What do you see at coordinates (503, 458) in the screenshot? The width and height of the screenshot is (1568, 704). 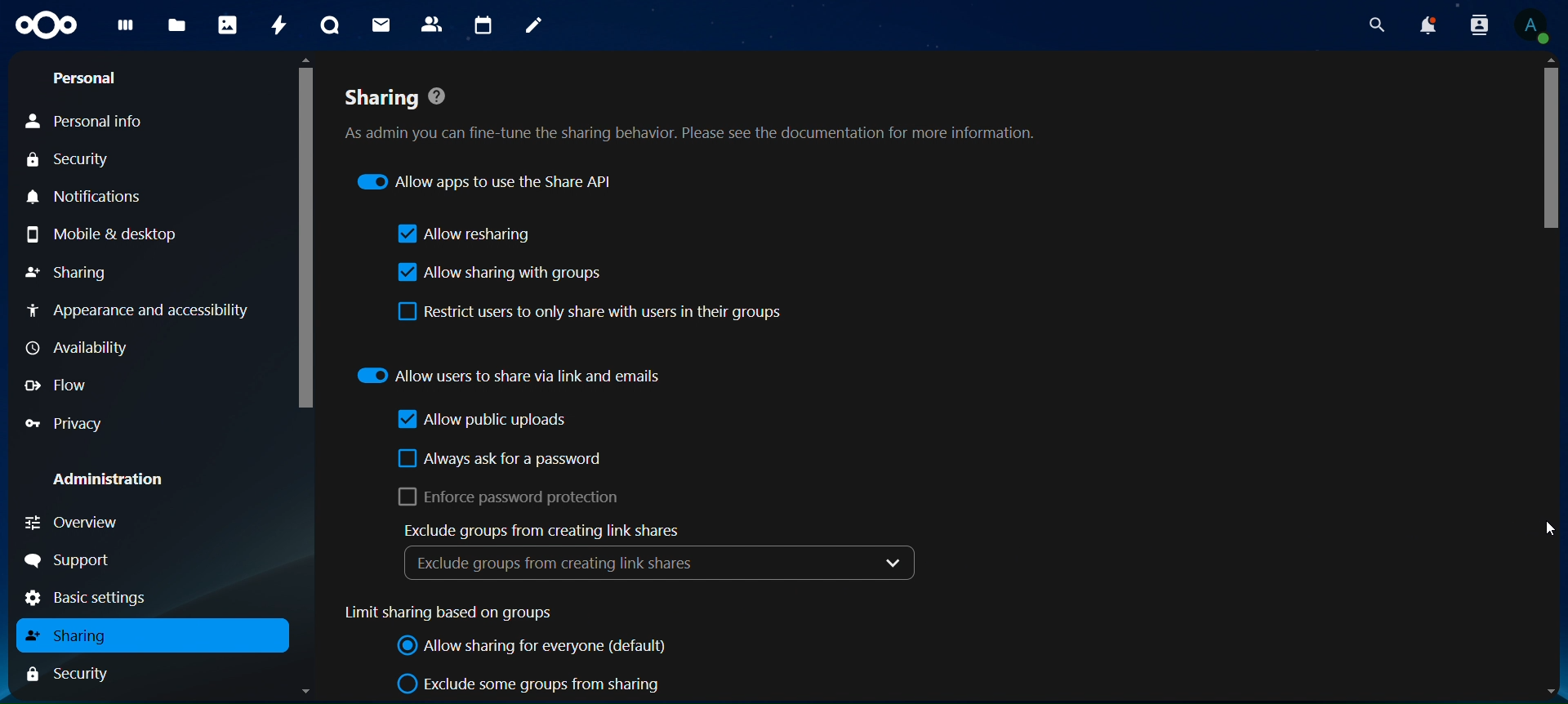 I see `always ask for a password` at bounding box center [503, 458].